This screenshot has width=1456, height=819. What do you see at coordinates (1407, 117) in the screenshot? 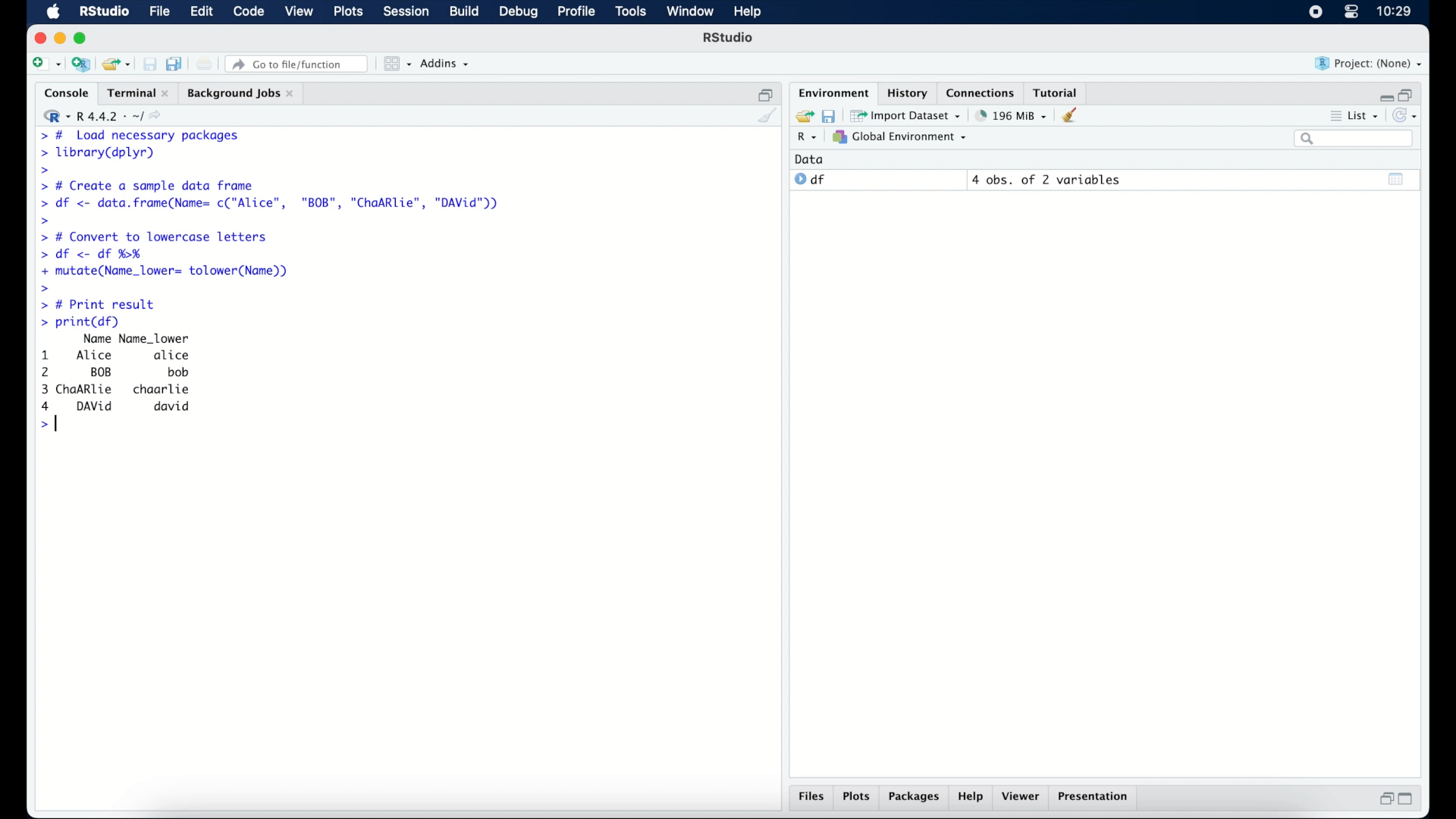
I see `refresh` at bounding box center [1407, 117].